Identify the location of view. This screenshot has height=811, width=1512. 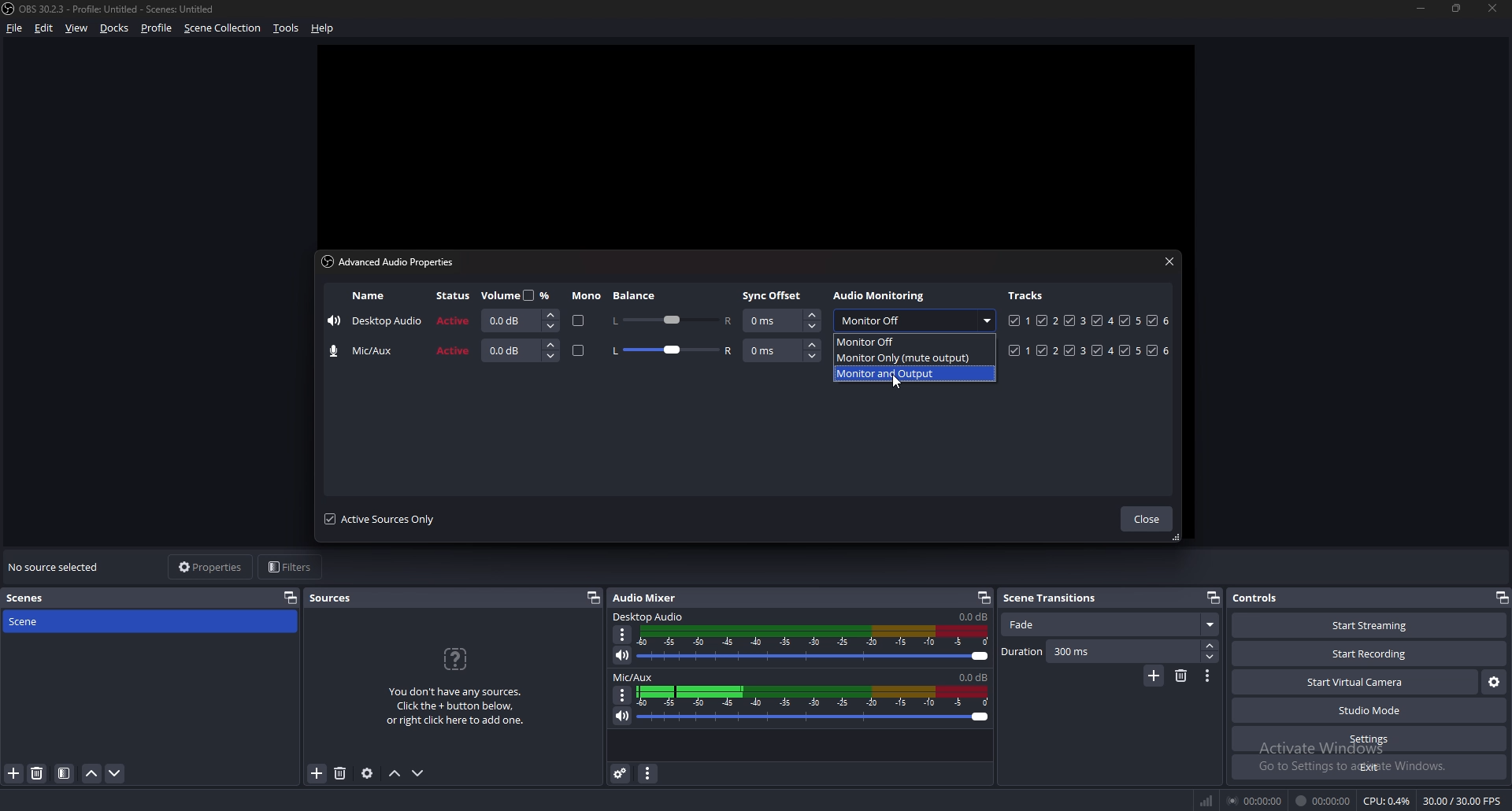
(77, 28).